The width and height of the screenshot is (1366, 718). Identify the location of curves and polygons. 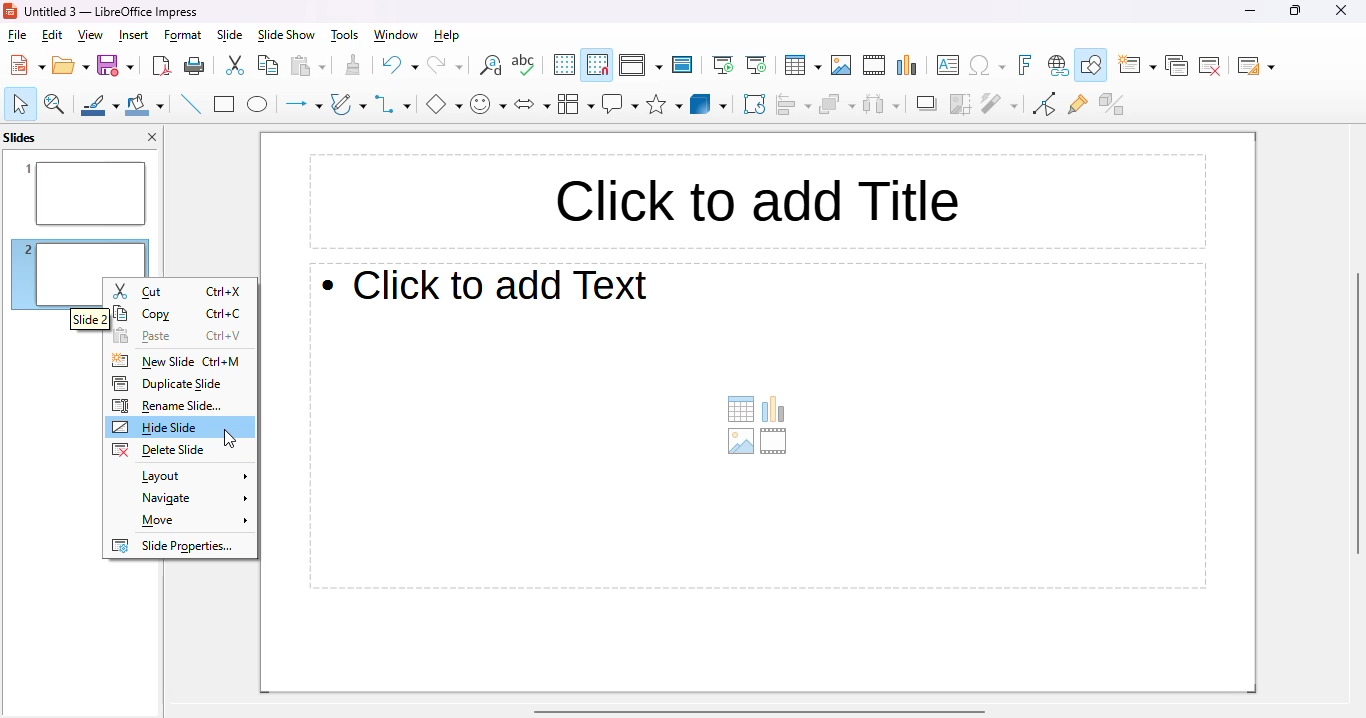
(348, 104).